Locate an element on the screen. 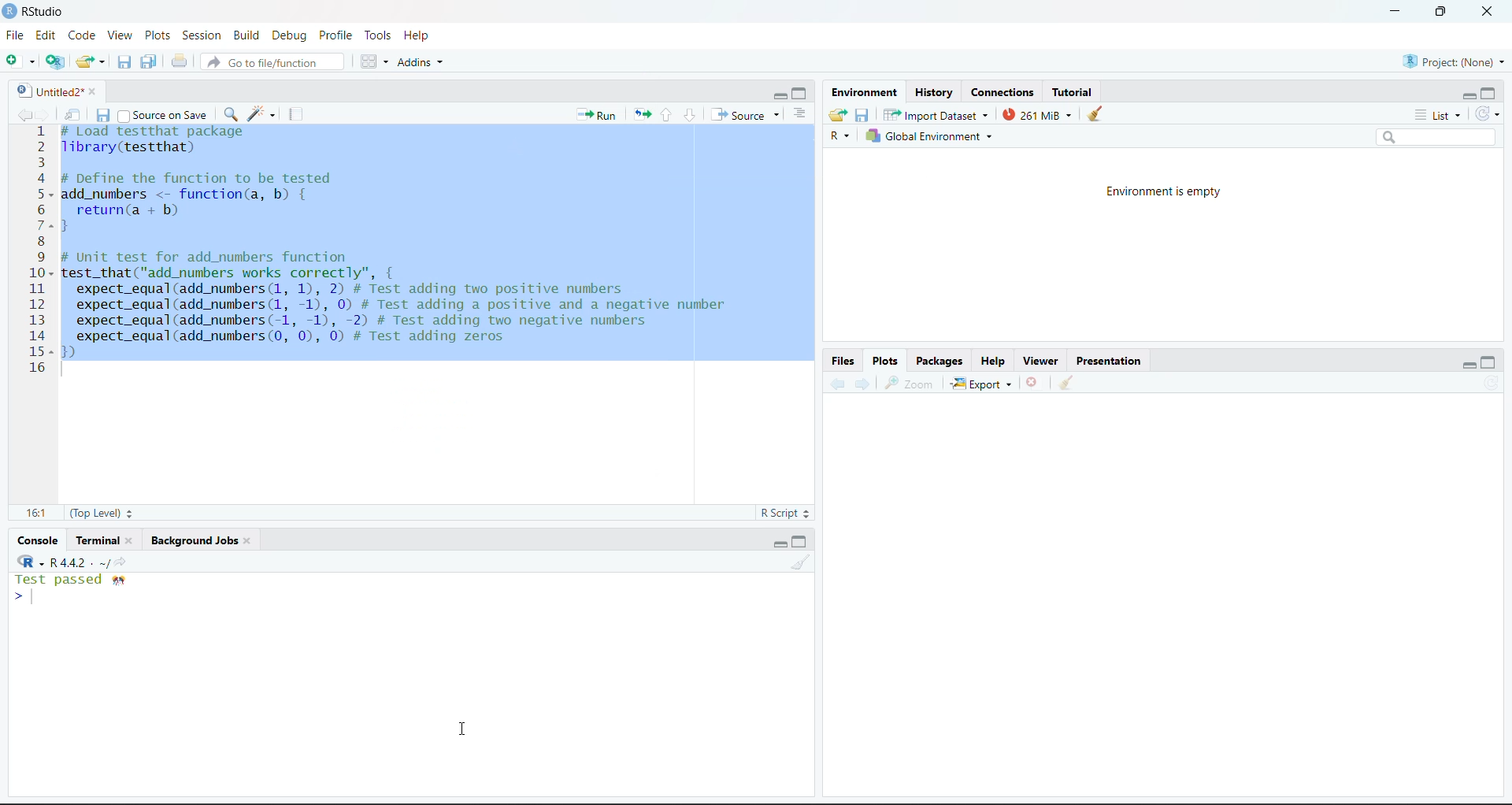  Export is located at coordinates (980, 384).